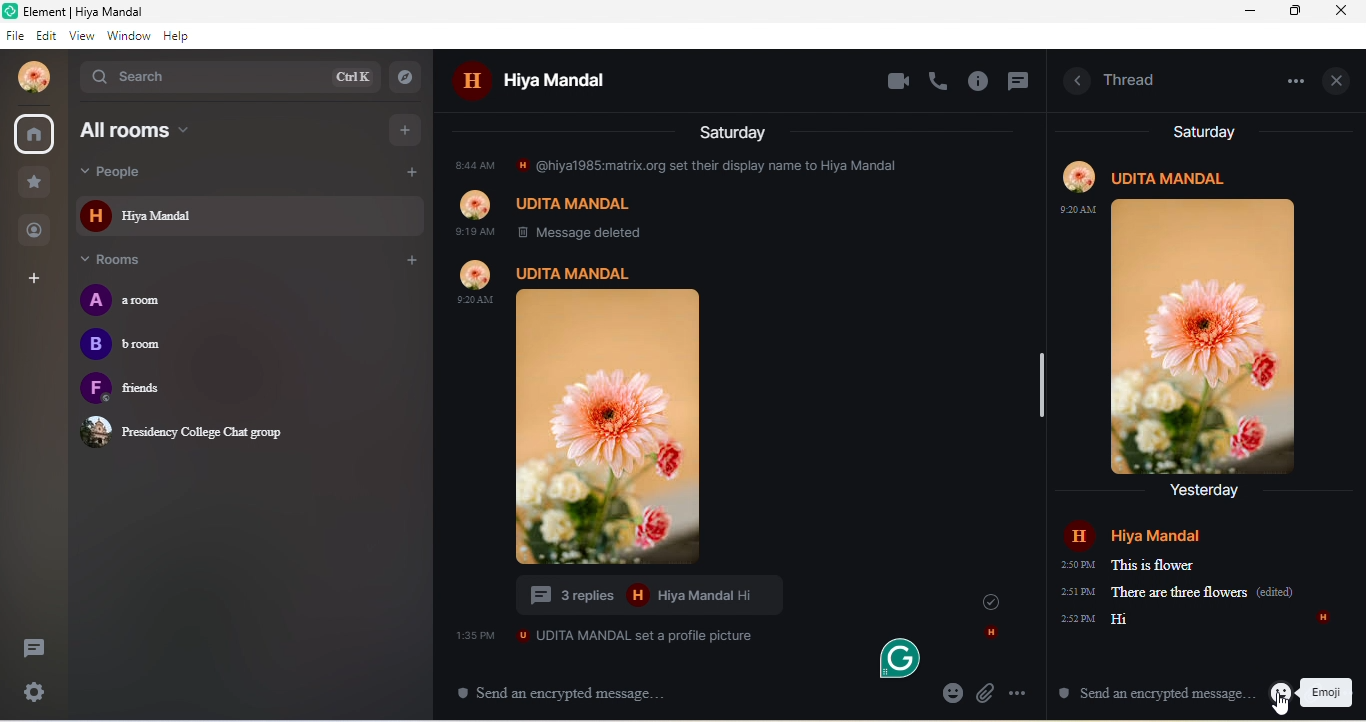  What do you see at coordinates (1202, 337) in the screenshot?
I see `image` at bounding box center [1202, 337].